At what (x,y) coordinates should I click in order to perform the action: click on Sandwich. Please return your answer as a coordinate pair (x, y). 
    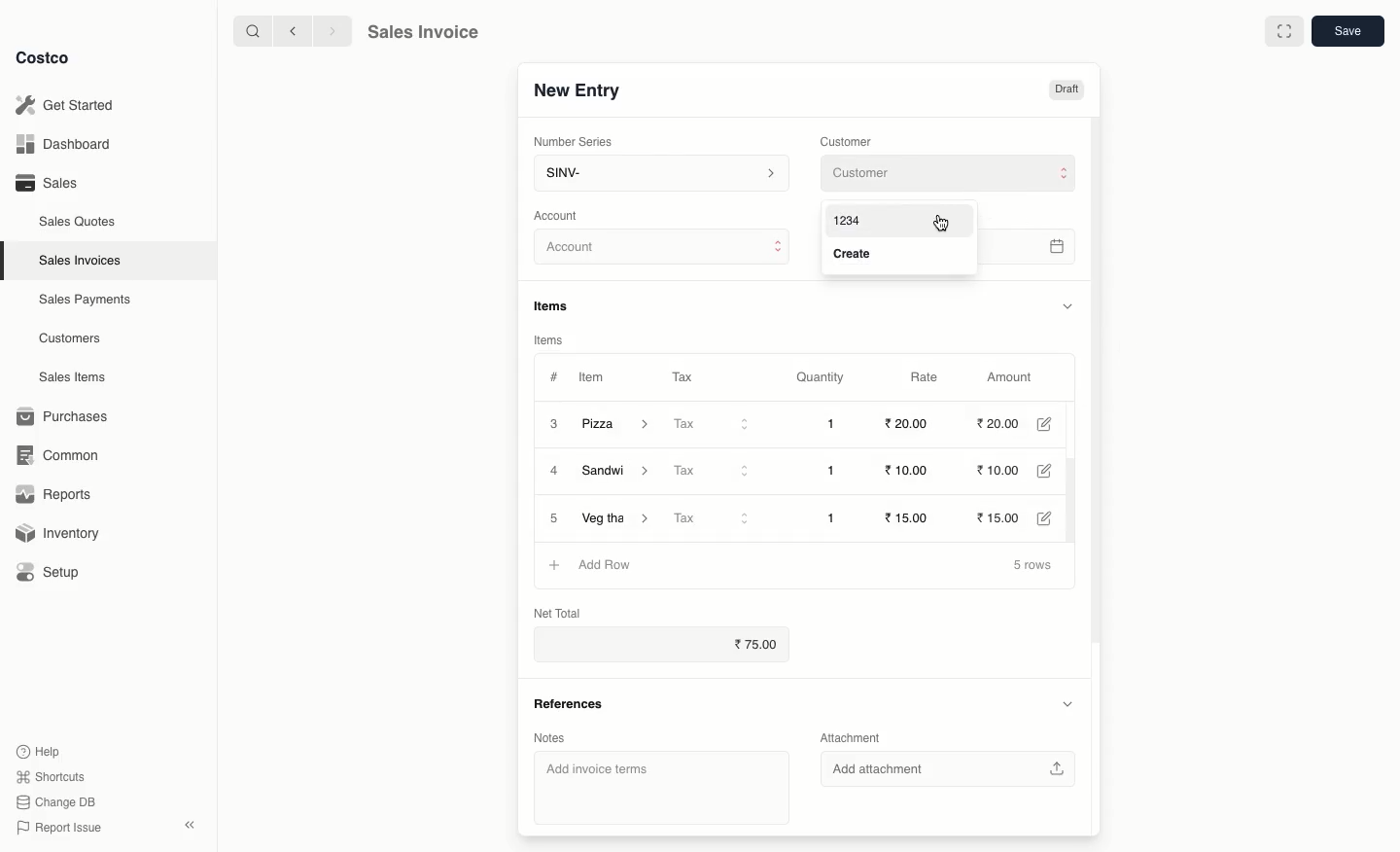
    Looking at the image, I should click on (621, 473).